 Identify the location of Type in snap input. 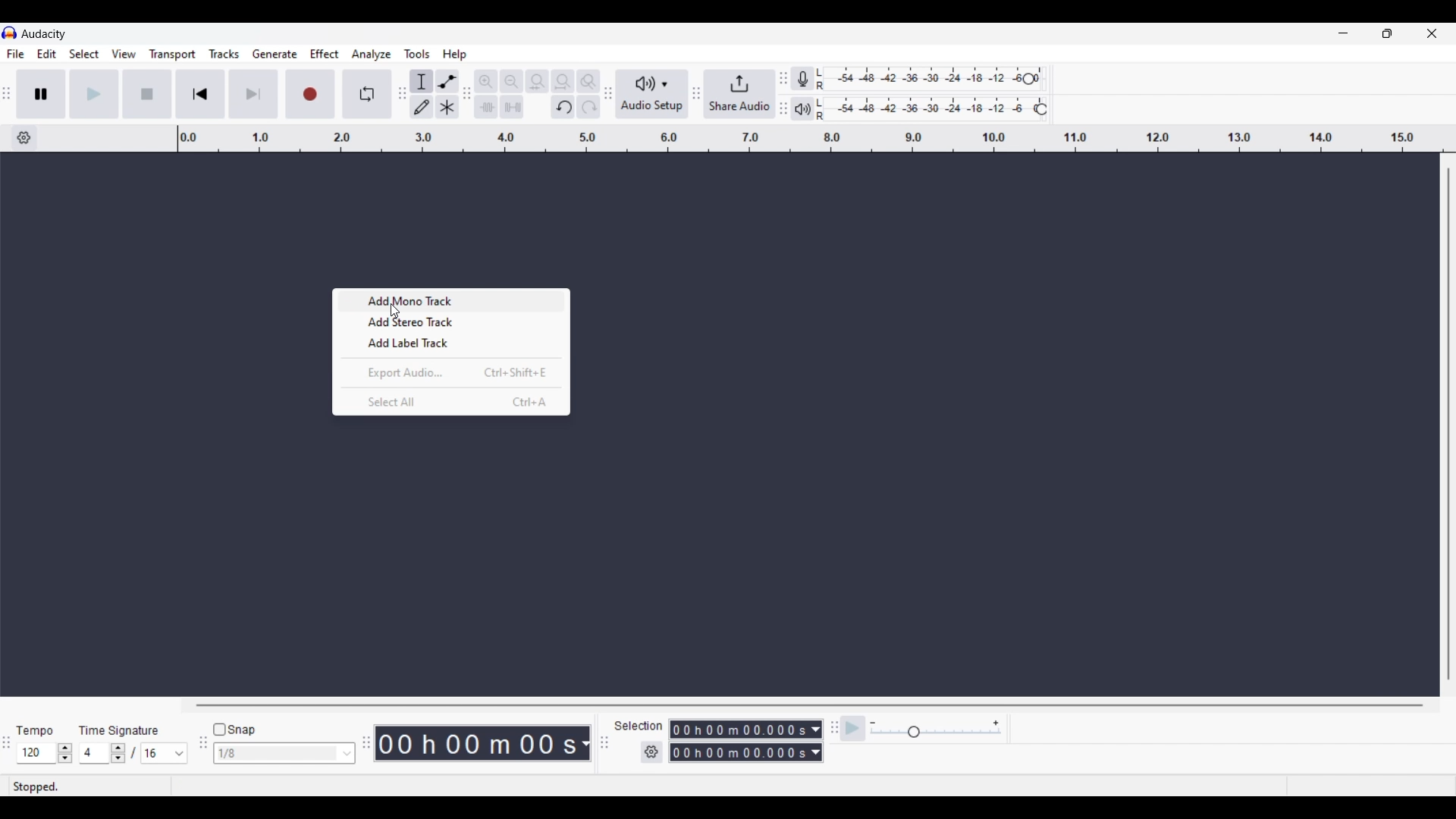
(277, 754).